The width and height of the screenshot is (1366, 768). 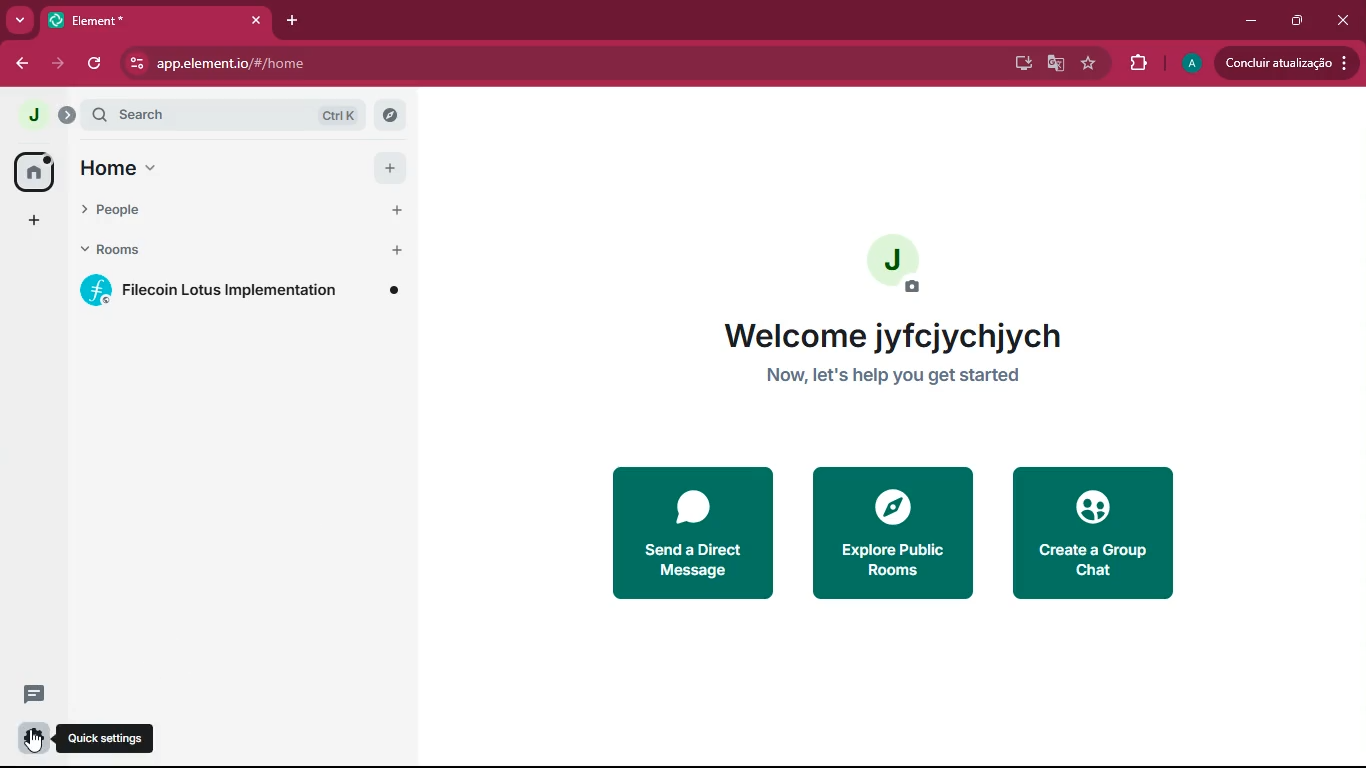 What do you see at coordinates (390, 212) in the screenshot?
I see `add button` at bounding box center [390, 212].